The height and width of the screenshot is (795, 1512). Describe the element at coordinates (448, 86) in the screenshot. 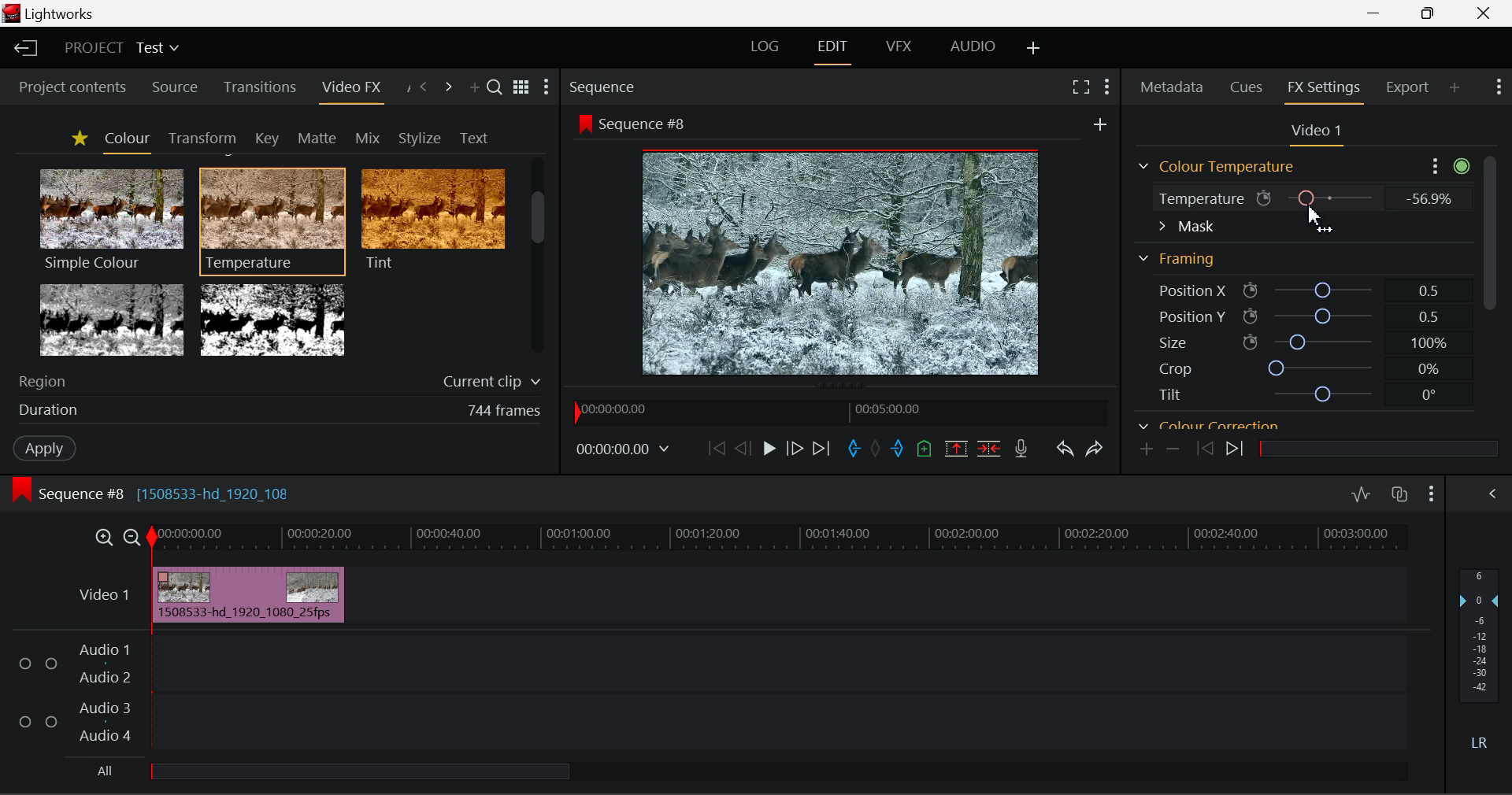

I see `Next Panel` at that location.